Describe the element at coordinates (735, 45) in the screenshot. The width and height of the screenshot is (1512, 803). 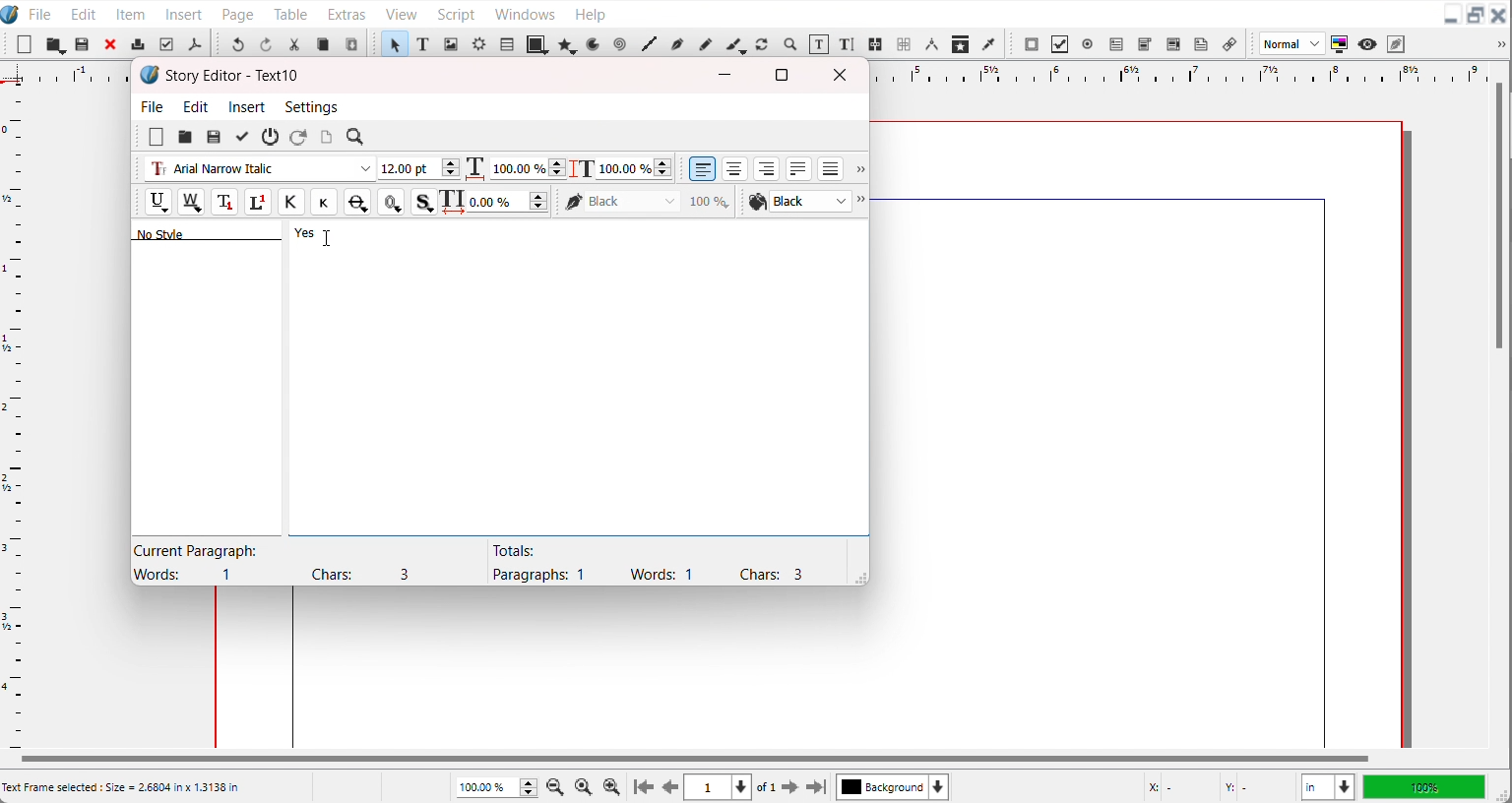
I see `Calligraphic line` at that location.